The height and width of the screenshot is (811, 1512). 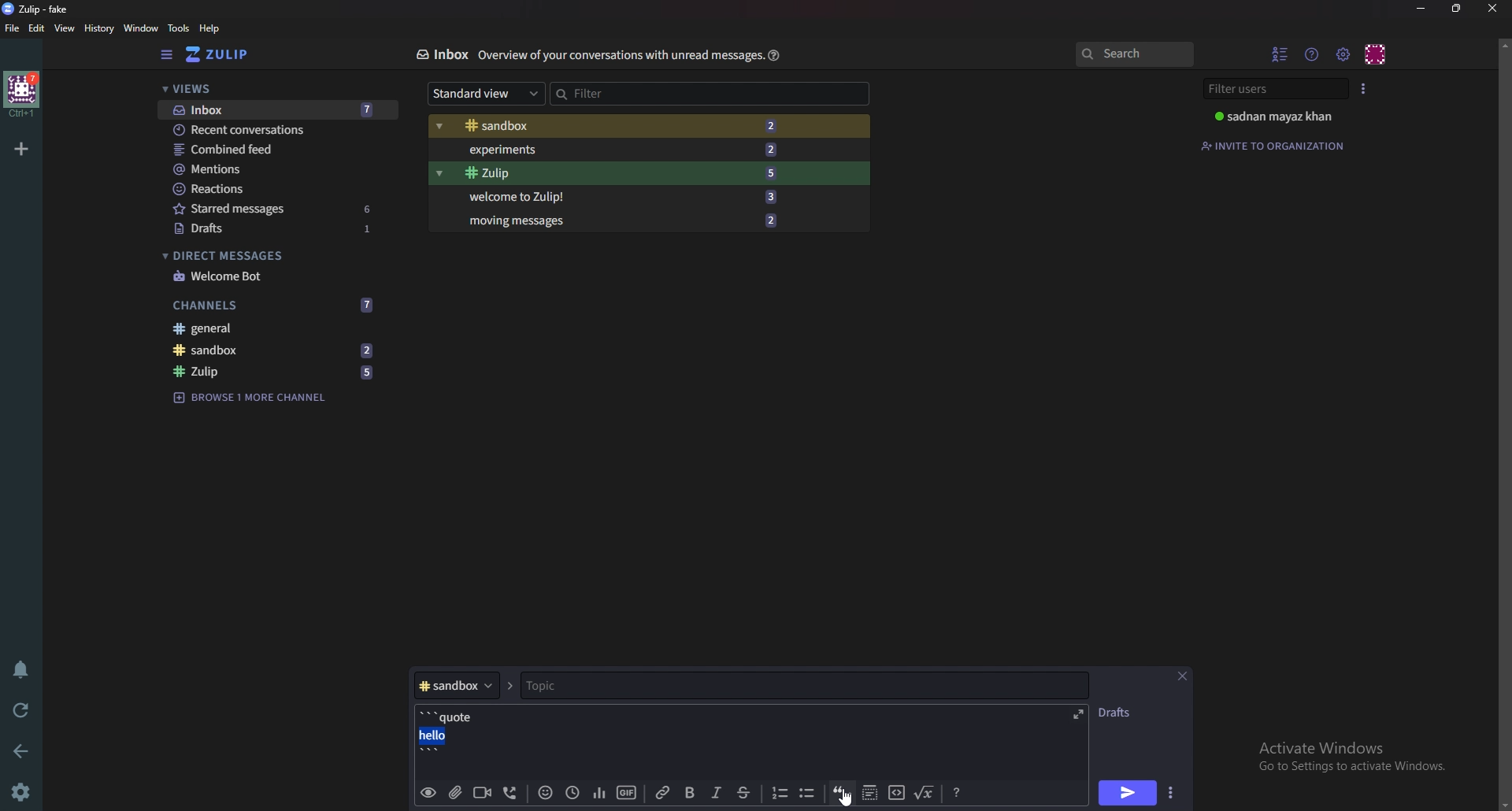 I want to click on sadnan mayaz khan, so click(x=1275, y=118).